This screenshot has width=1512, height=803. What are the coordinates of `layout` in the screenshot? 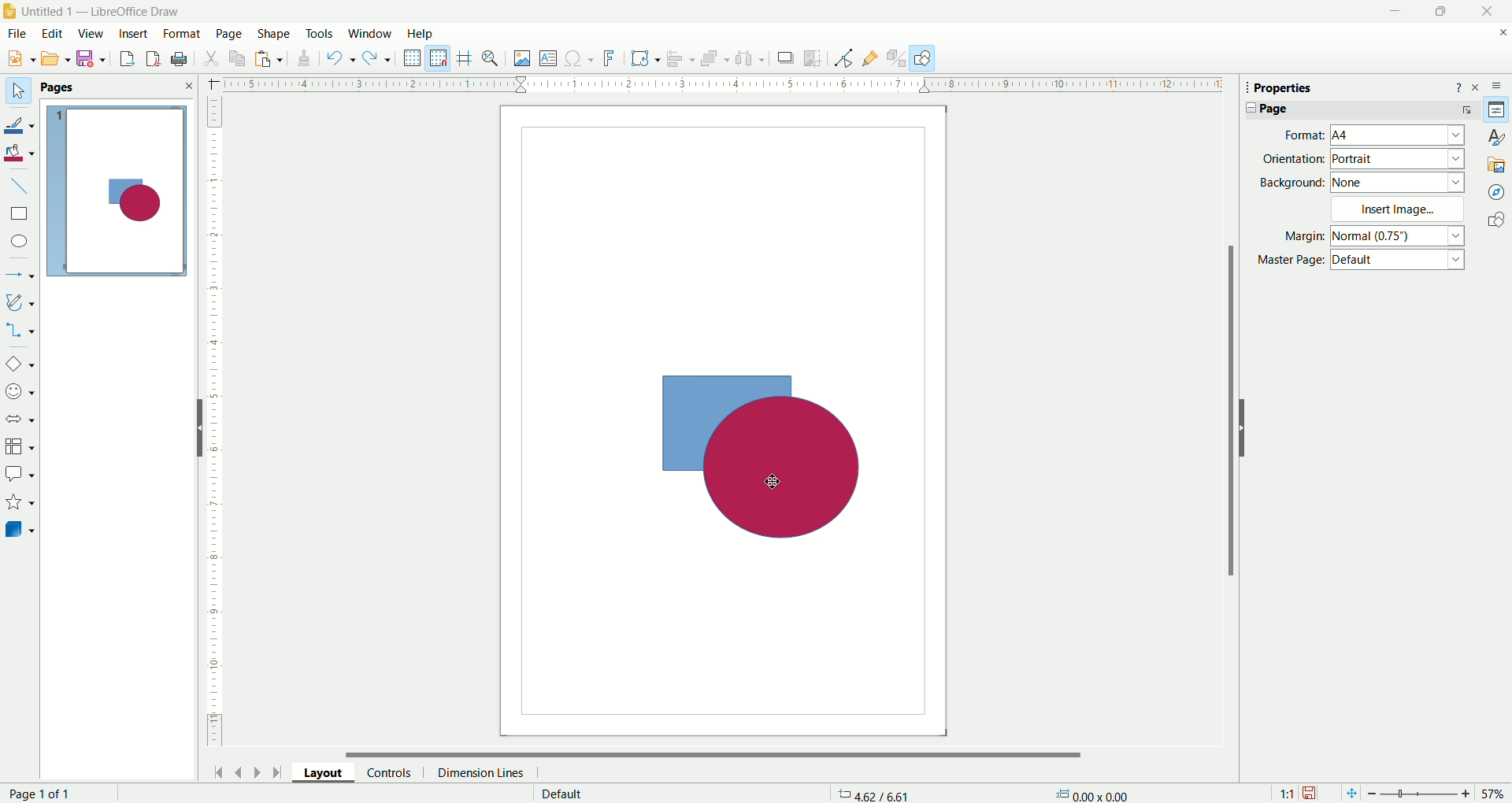 It's located at (318, 772).